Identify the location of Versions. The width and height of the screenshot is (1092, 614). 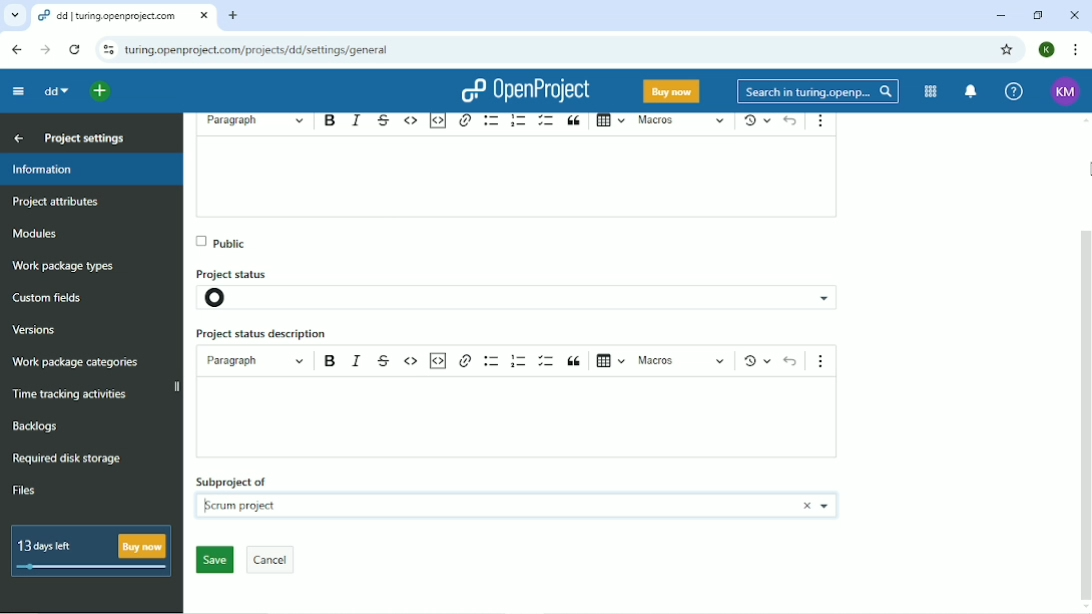
(34, 331).